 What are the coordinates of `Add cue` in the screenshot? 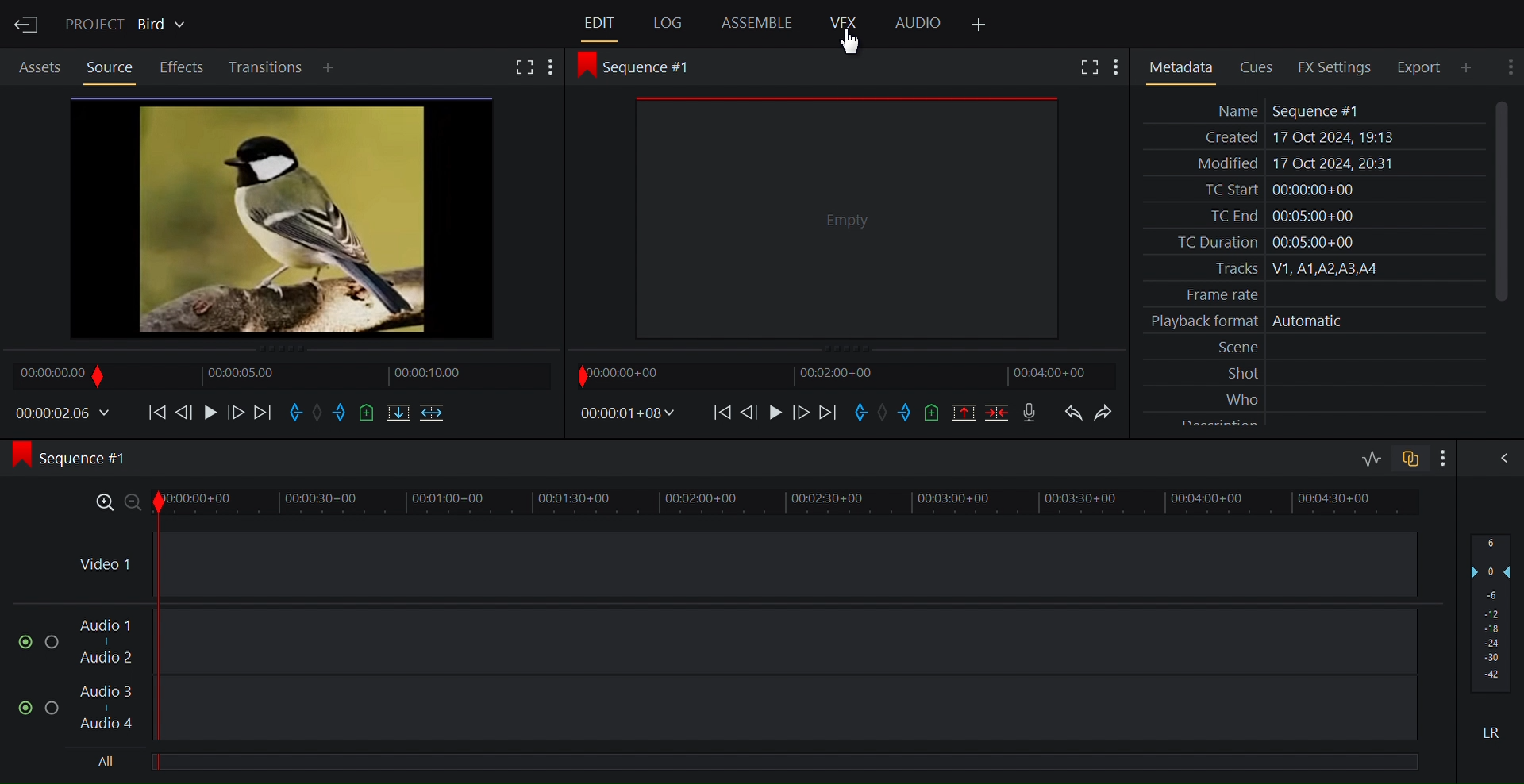 It's located at (365, 414).